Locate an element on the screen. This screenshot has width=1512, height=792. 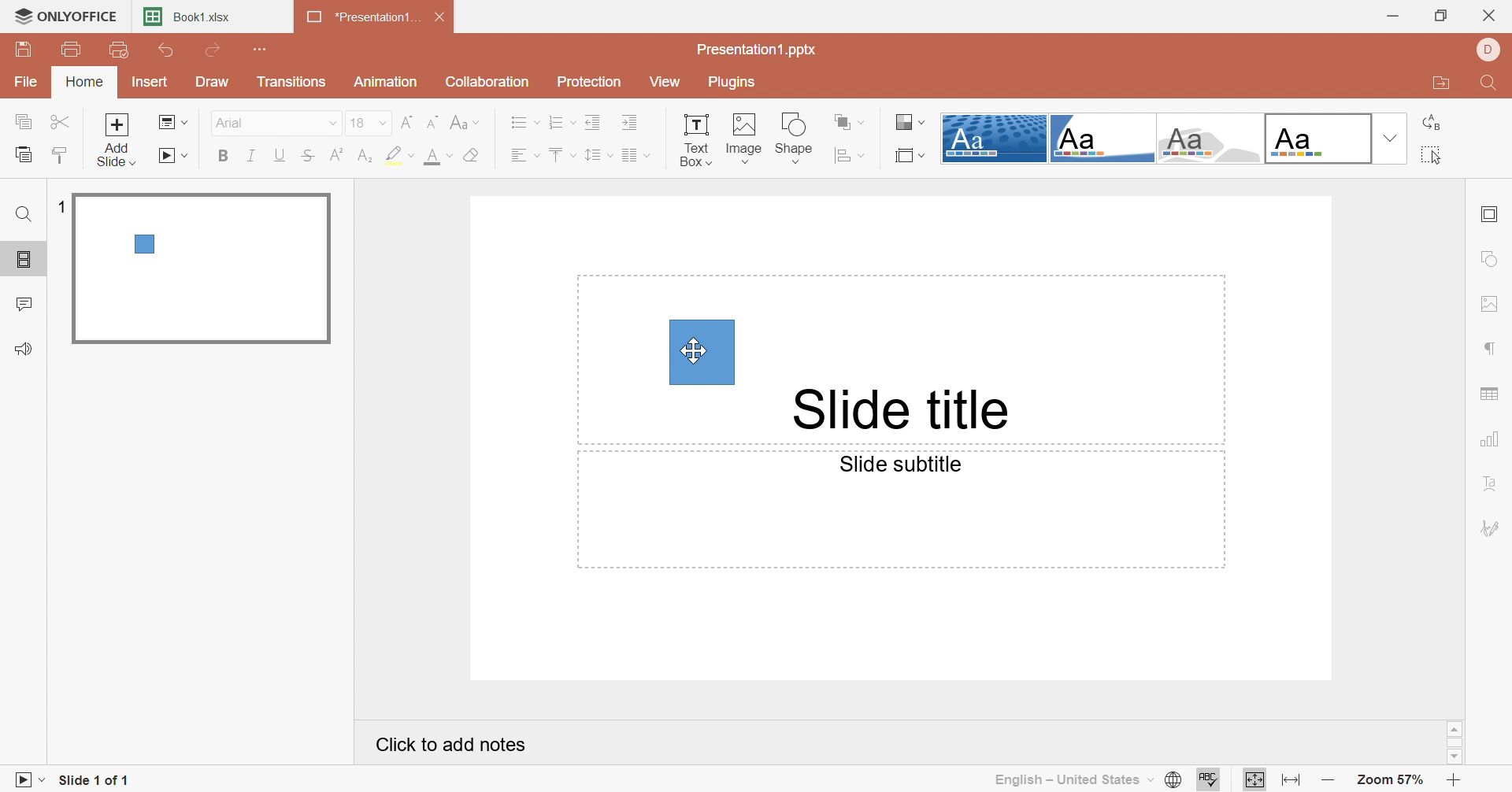
Minimize is located at coordinates (1388, 18).